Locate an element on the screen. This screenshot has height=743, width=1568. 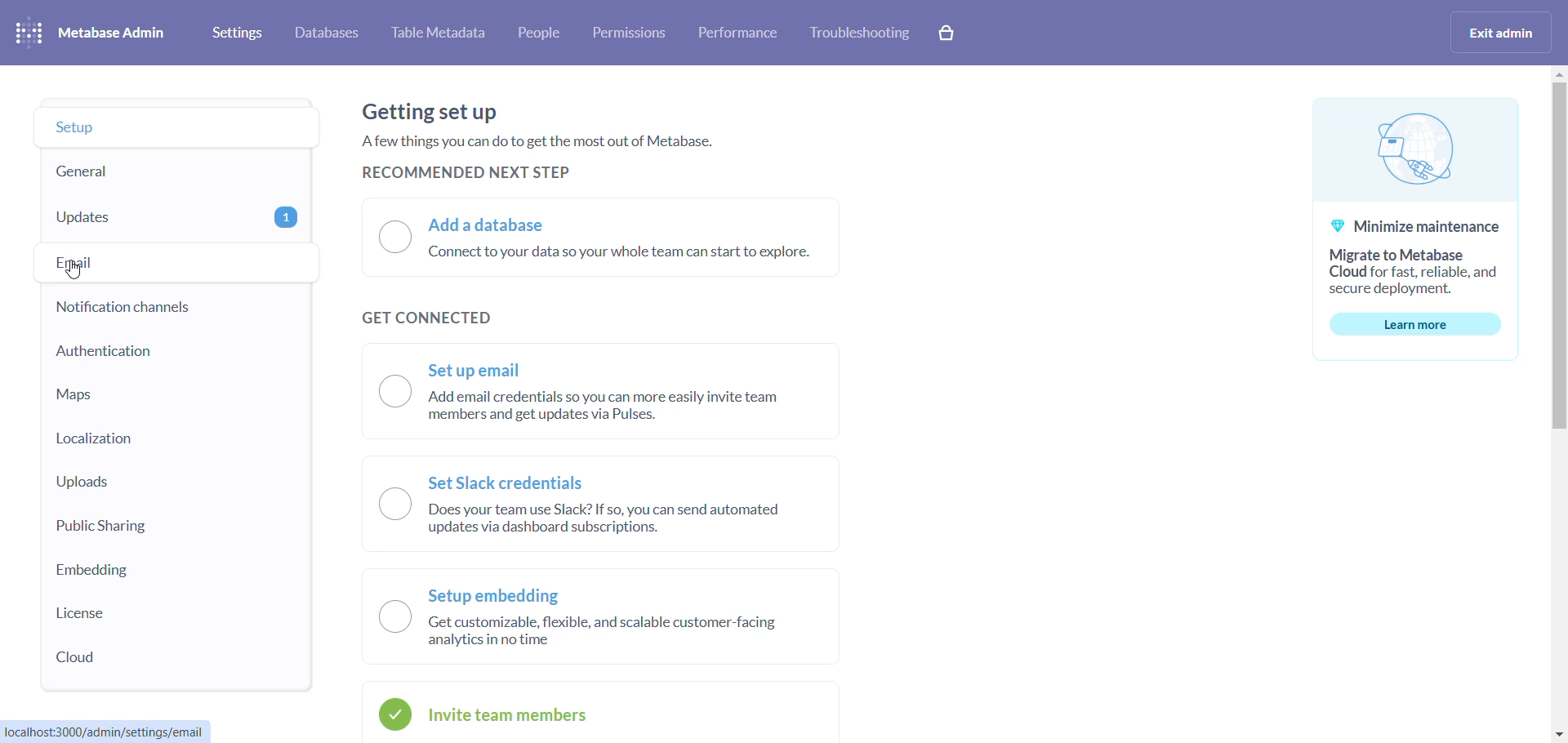
move up is located at coordinates (1558, 76).